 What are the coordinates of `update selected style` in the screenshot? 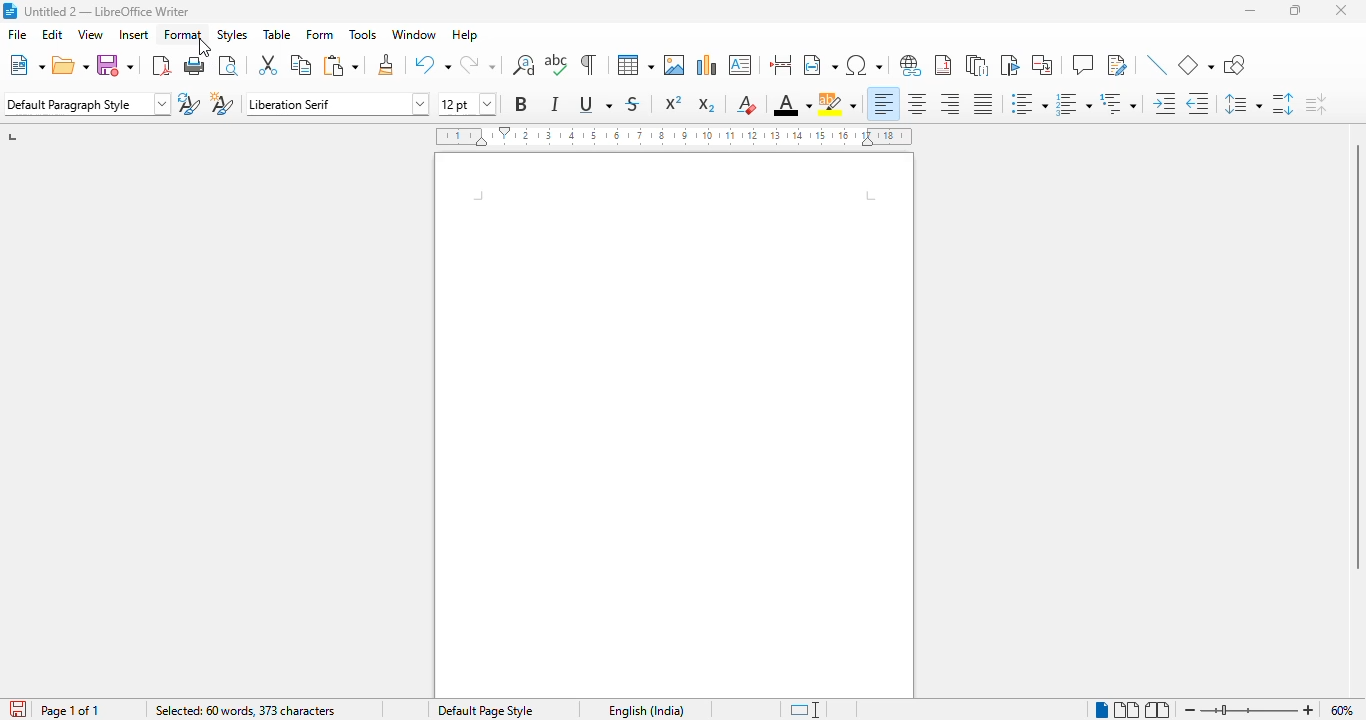 It's located at (188, 103).